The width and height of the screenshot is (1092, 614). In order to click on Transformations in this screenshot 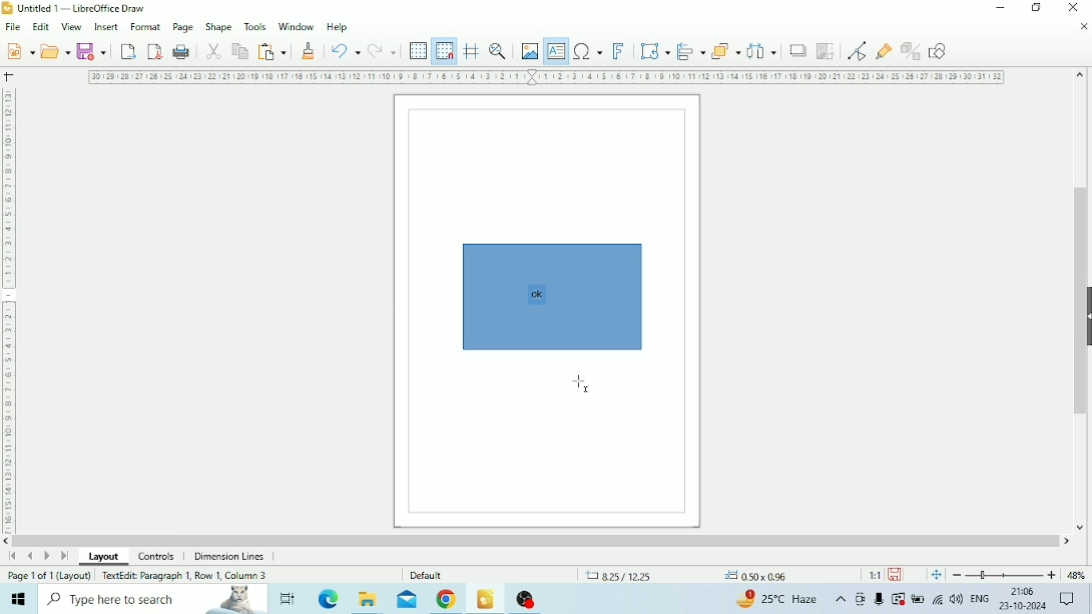, I will do `click(655, 51)`.